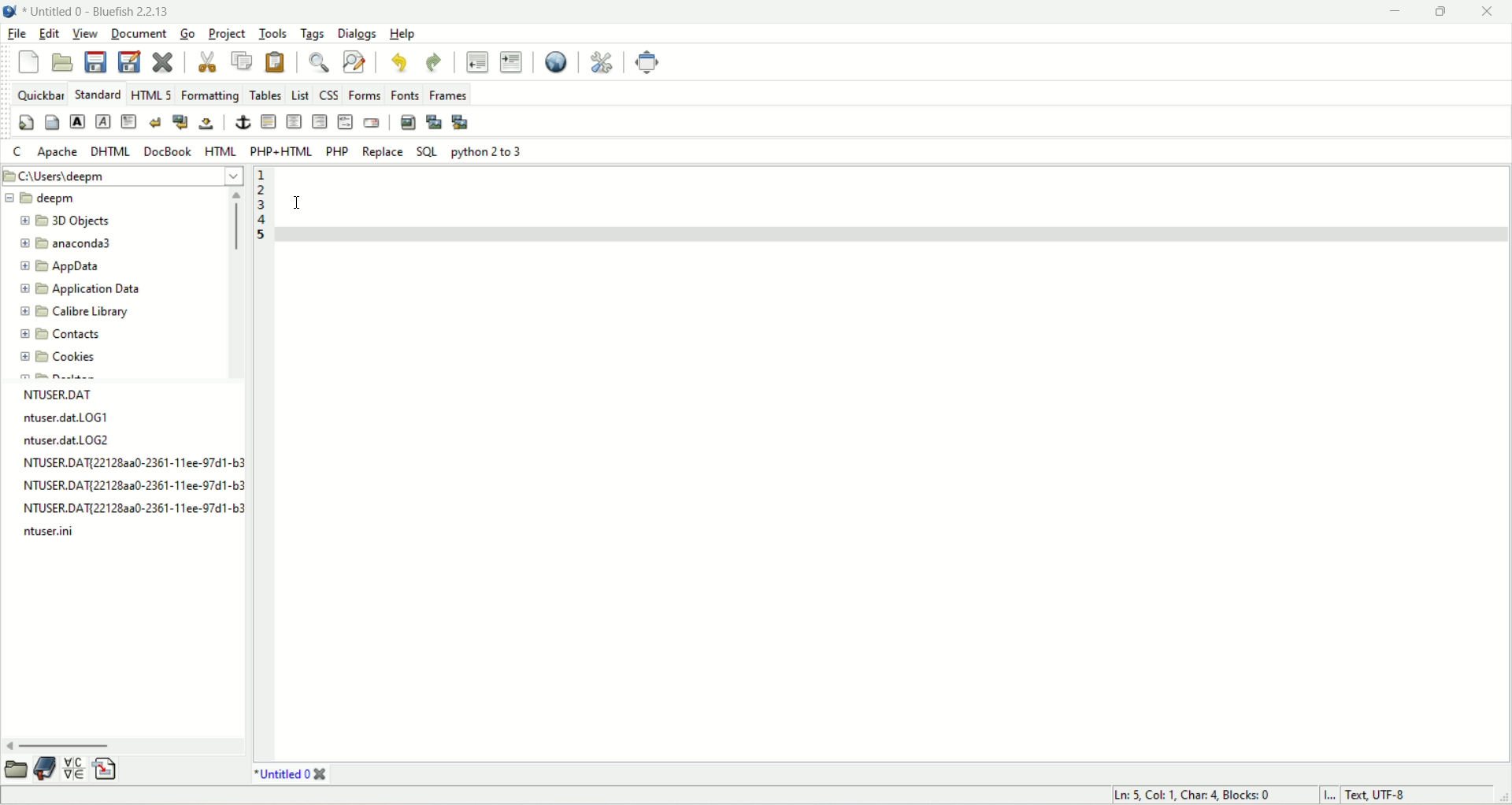 This screenshot has height=805, width=1512. Describe the element at coordinates (276, 34) in the screenshot. I see `tools` at that location.